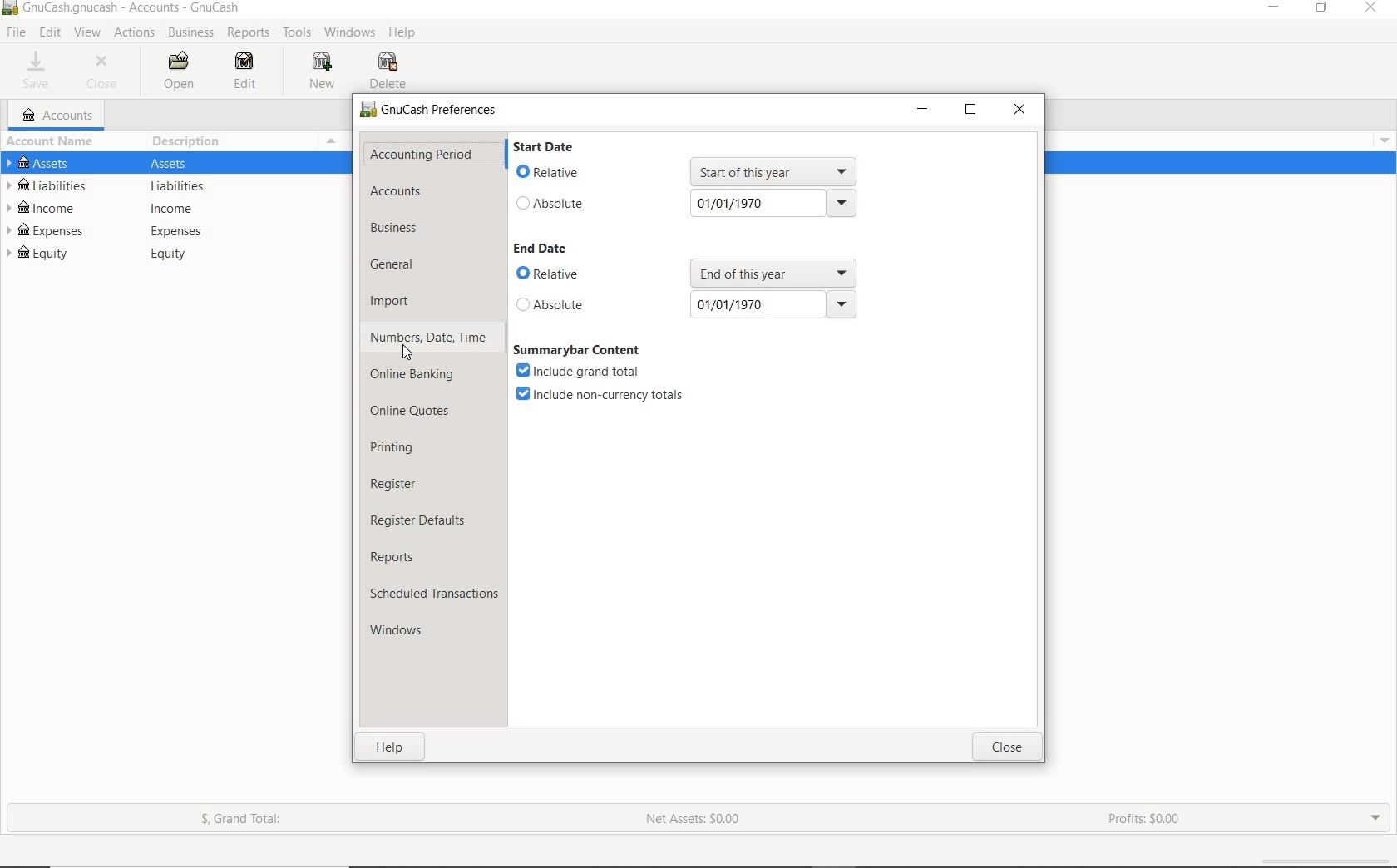 Image resolution: width=1397 pixels, height=868 pixels. Describe the element at coordinates (693, 824) in the screenshot. I see `NET ASSETS` at that location.